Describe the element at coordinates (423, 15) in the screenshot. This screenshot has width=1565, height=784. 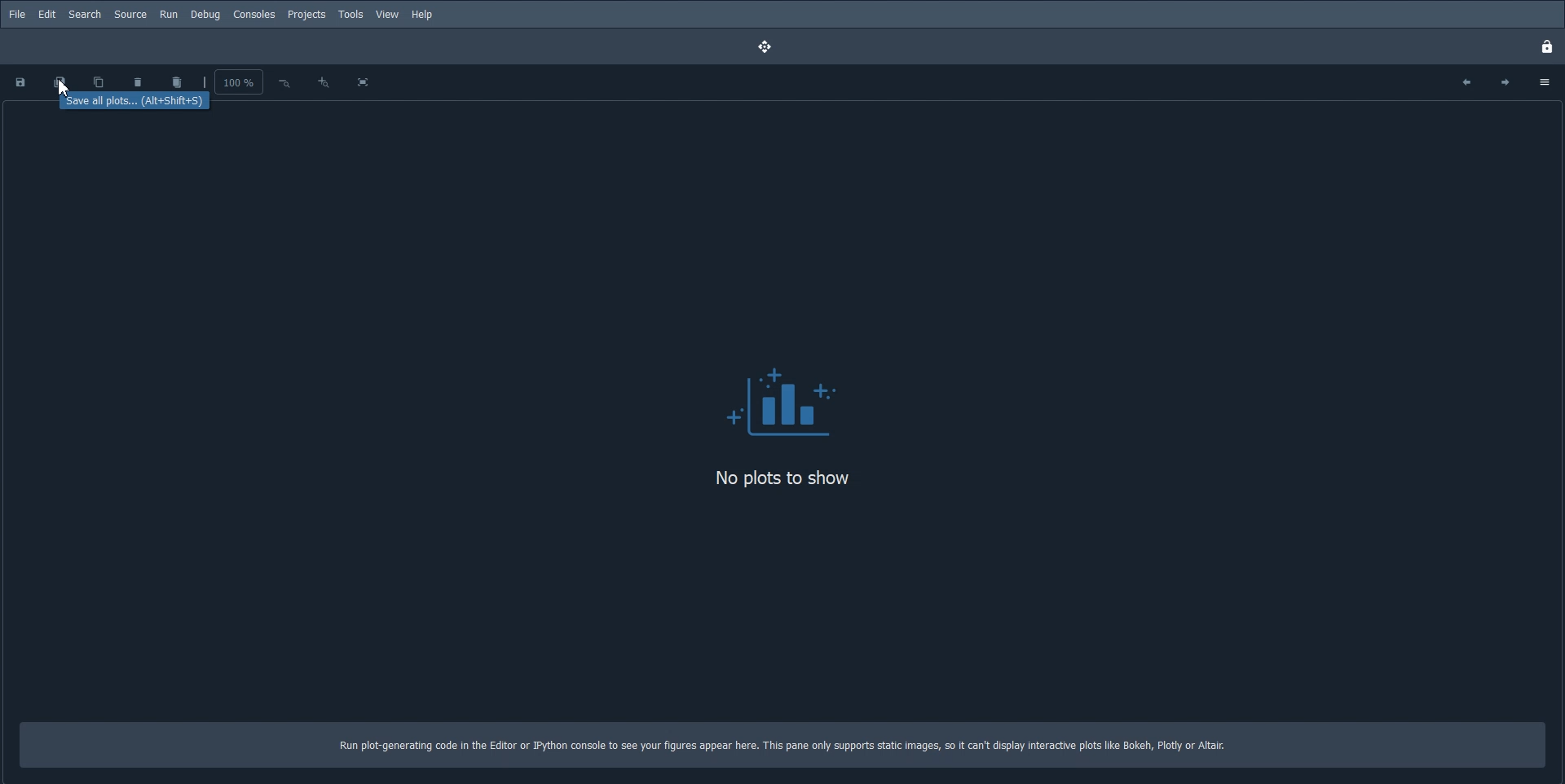
I see `Help` at that location.